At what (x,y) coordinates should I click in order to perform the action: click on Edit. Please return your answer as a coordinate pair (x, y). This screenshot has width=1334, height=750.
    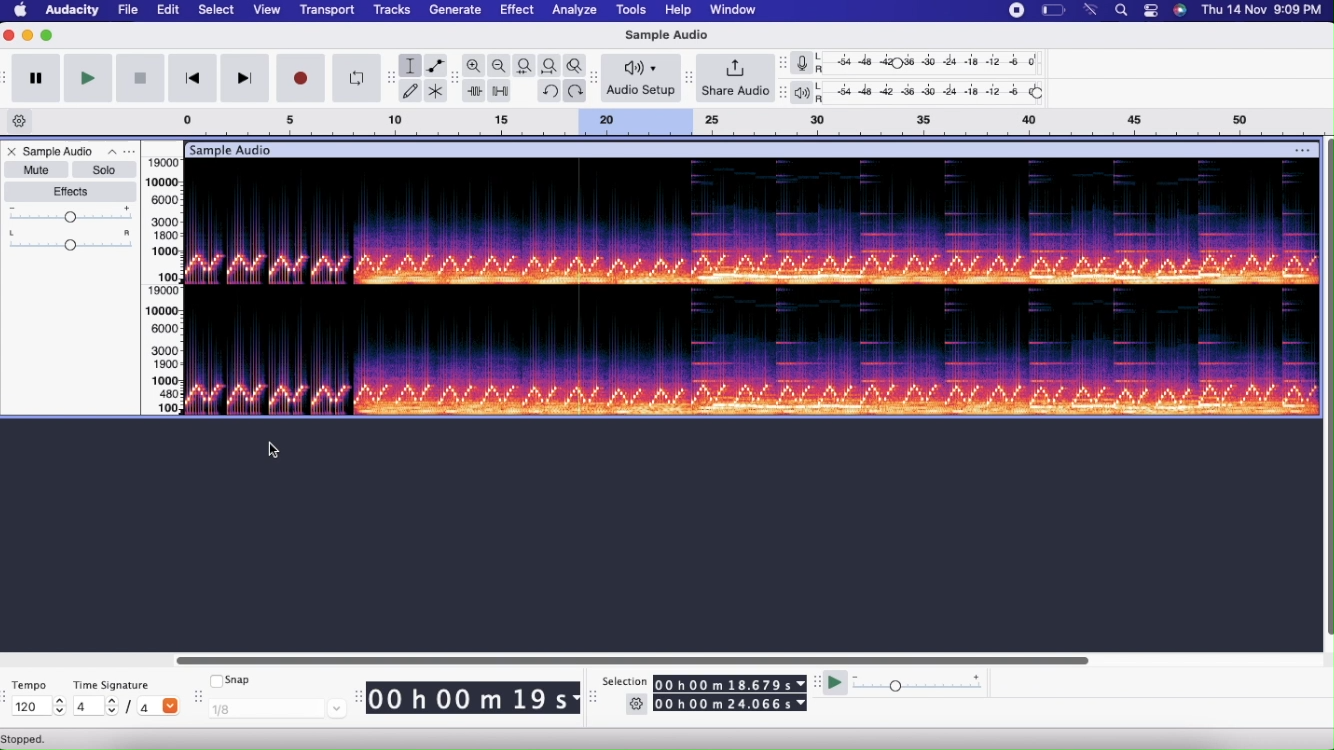
    Looking at the image, I should click on (170, 10).